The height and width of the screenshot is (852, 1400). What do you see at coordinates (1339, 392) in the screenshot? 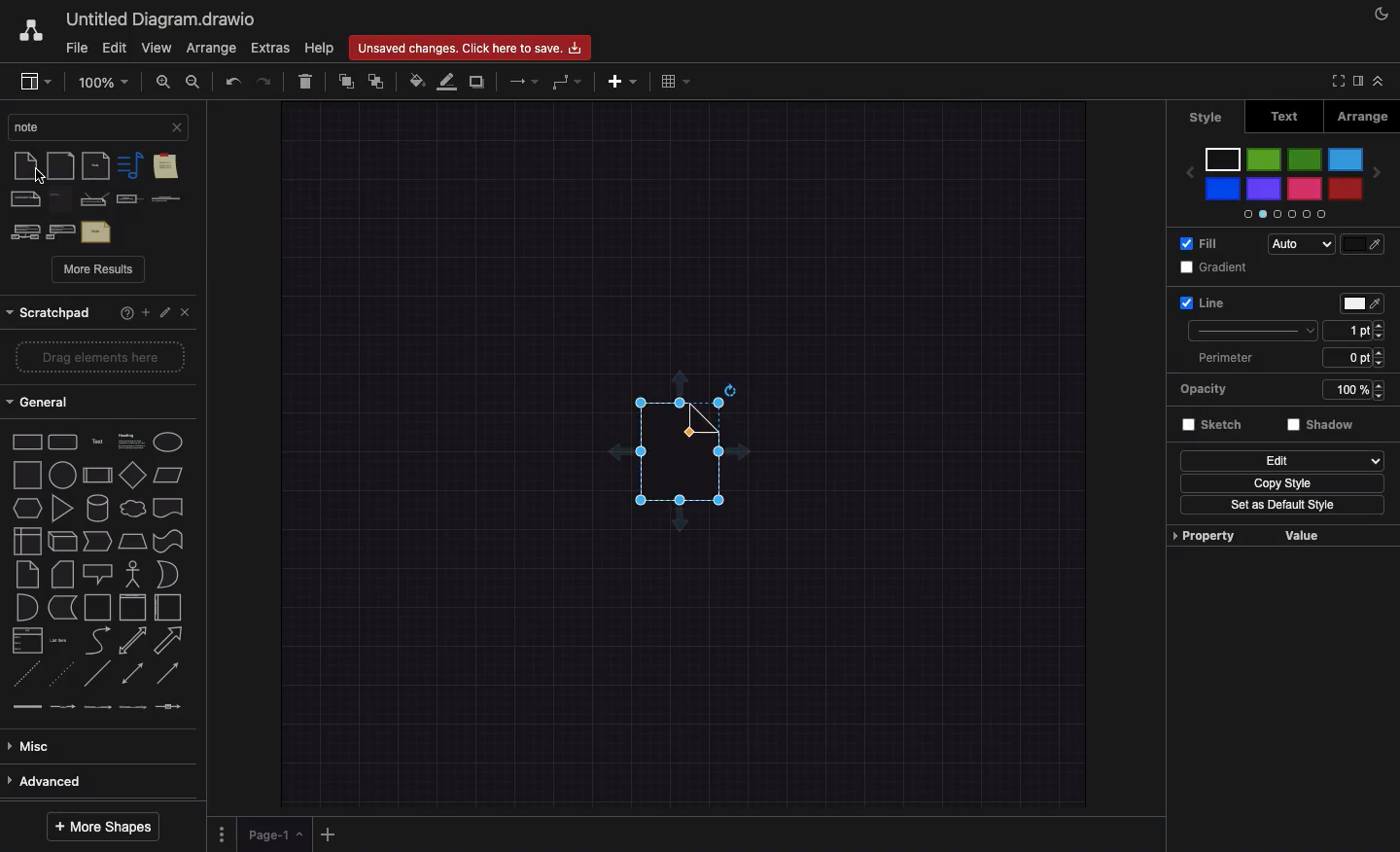
I see `edit opacity` at bounding box center [1339, 392].